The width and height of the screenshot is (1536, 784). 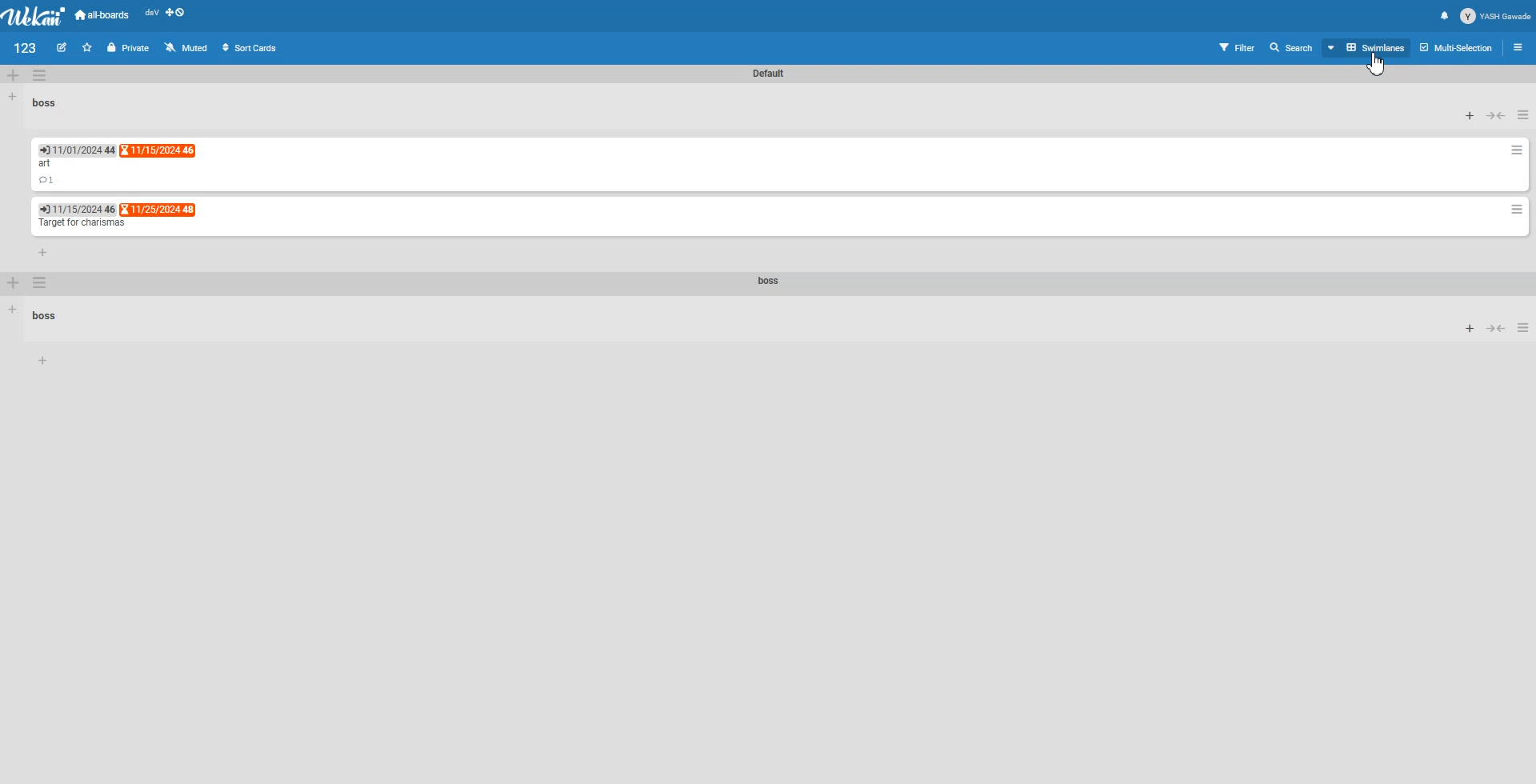 I want to click on Private, so click(x=128, y=48).